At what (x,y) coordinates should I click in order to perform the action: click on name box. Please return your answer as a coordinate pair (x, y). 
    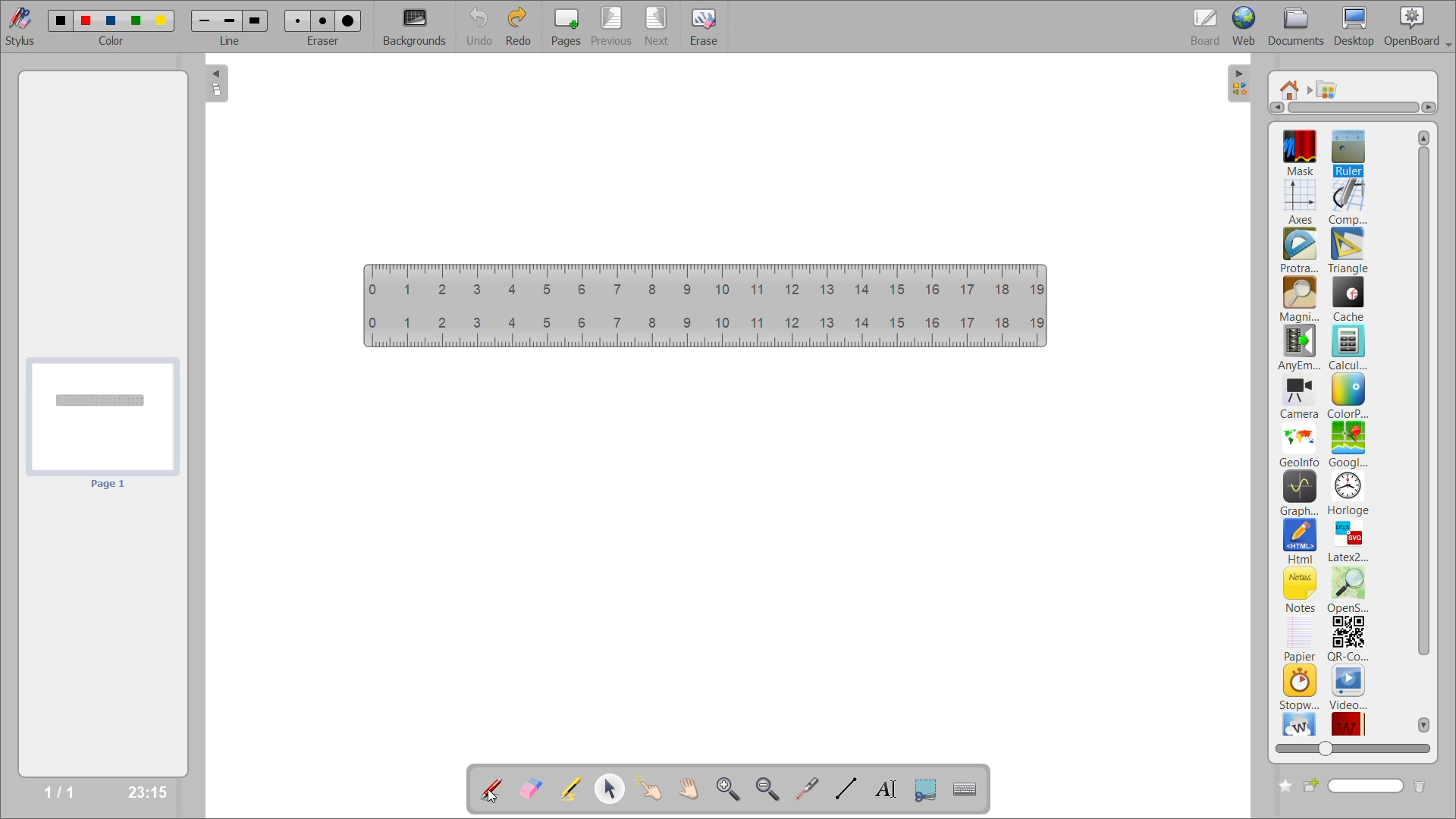
    Looking at the image, I should click on (1354, 786).